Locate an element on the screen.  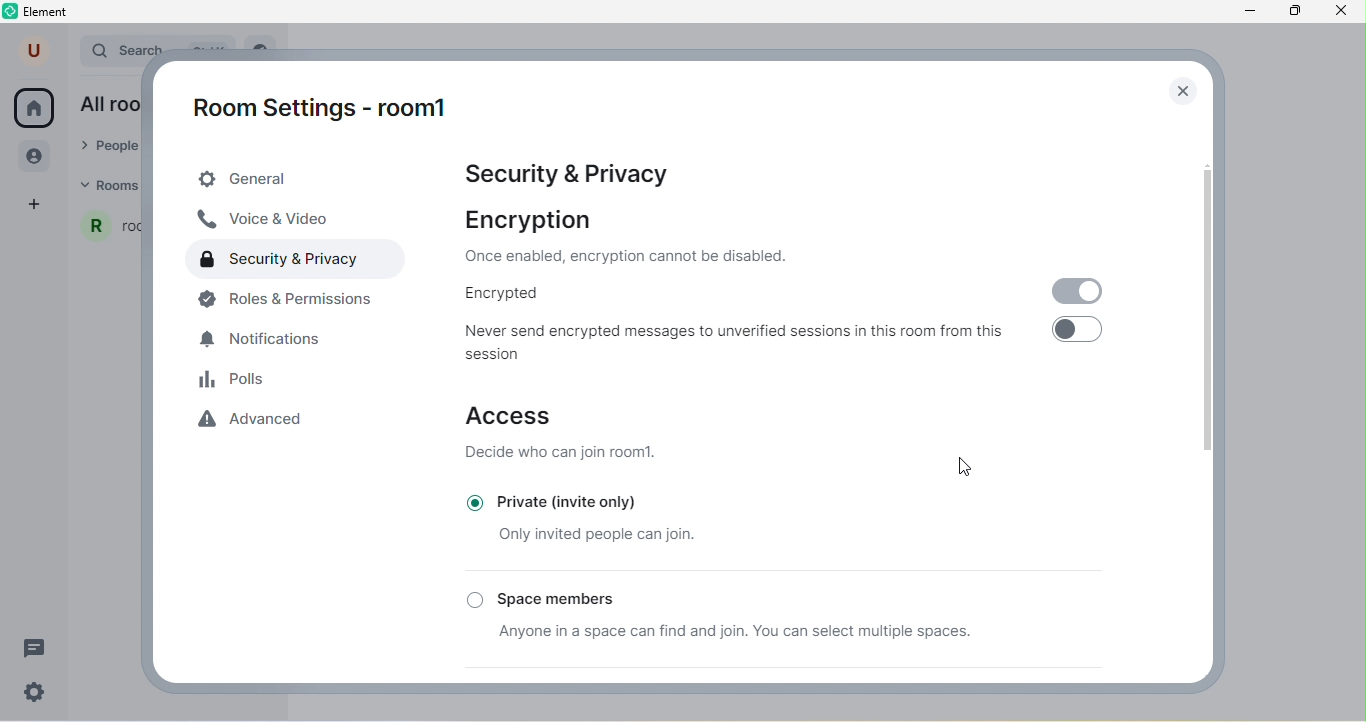
advanced is located at coordinates (259, 421).